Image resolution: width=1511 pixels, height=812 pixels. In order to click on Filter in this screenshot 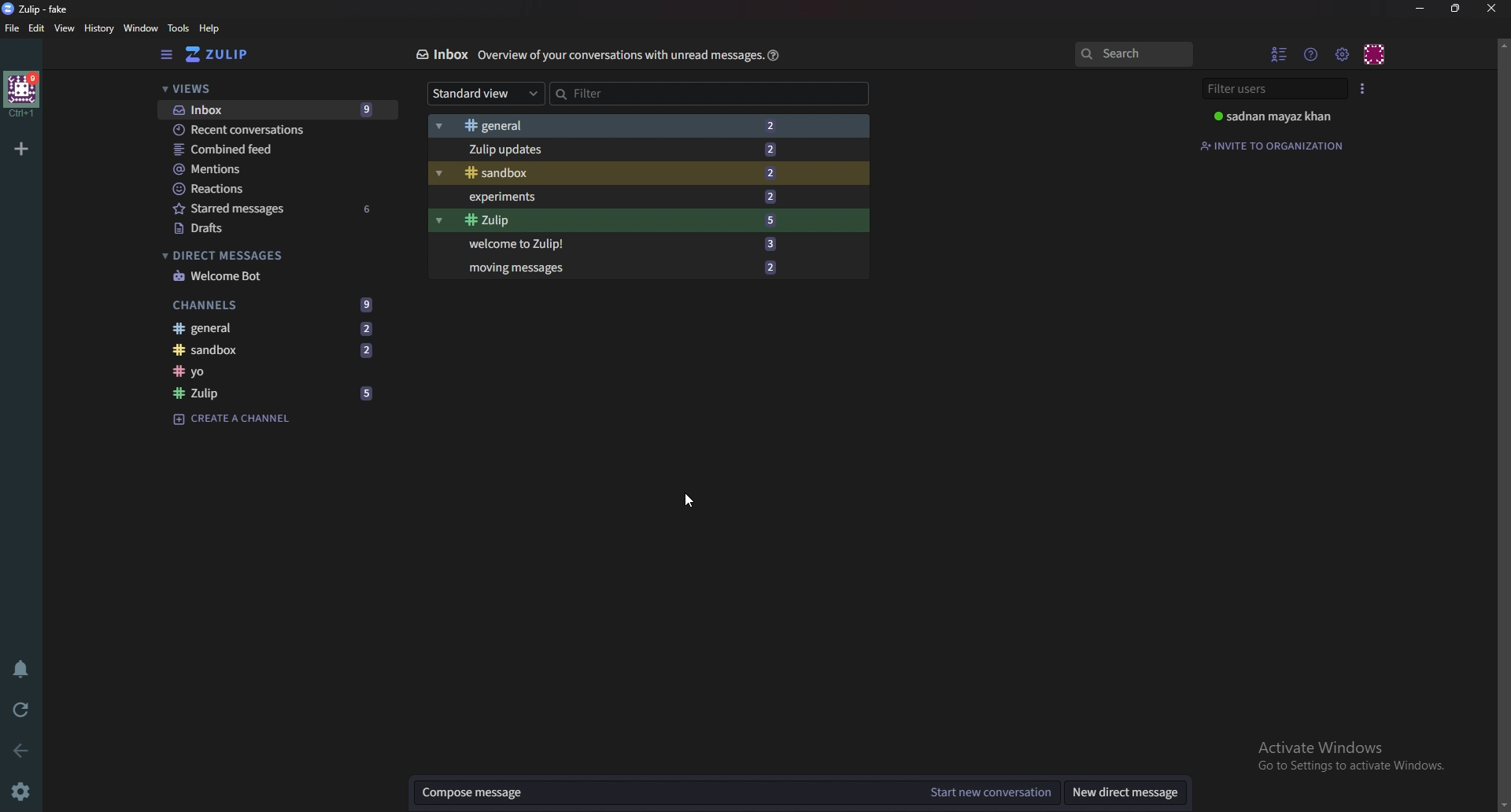, I will do `click(711, 93)`.